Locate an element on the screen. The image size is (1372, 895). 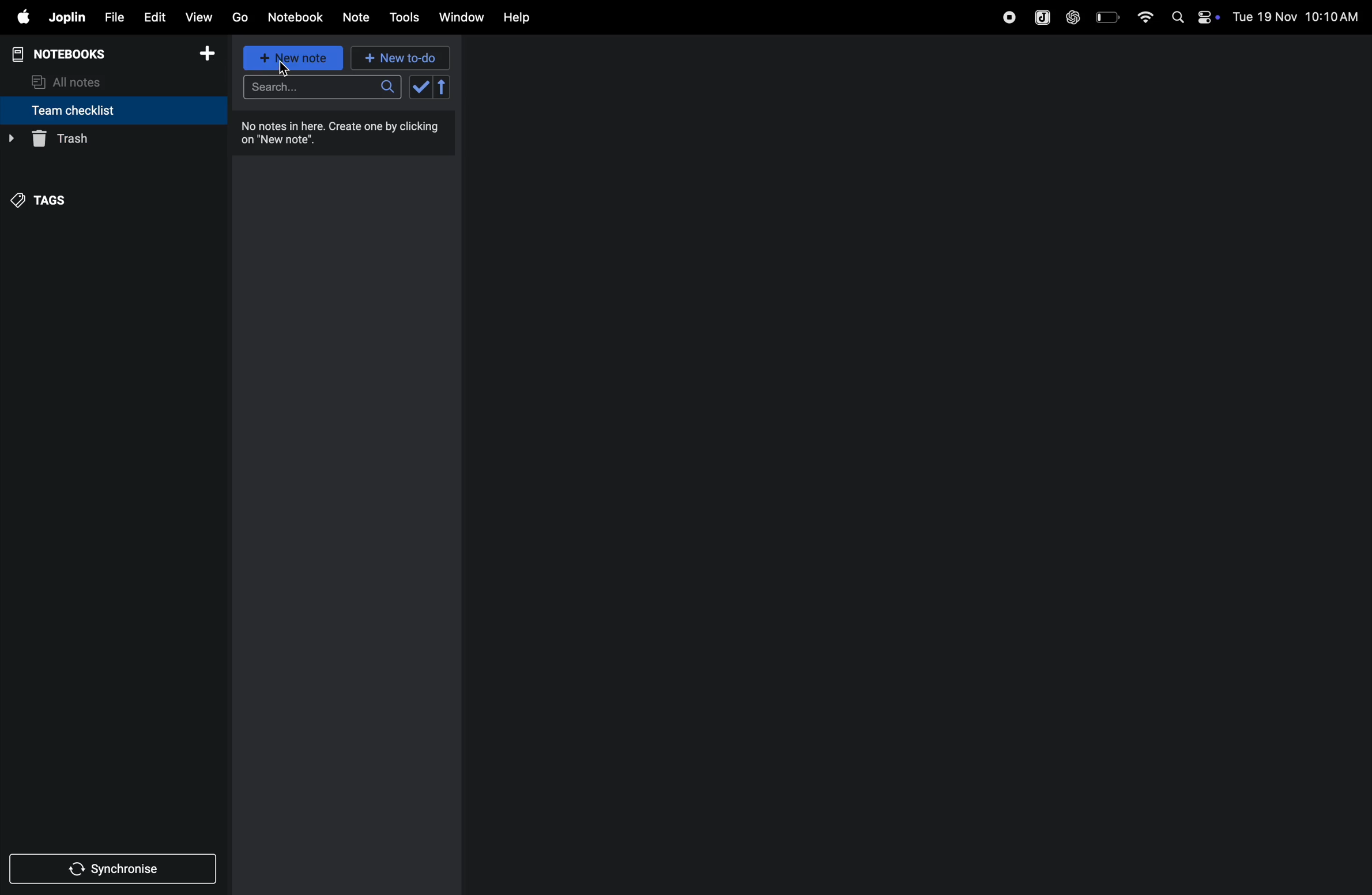
search is located at coordinates (1174, 20).